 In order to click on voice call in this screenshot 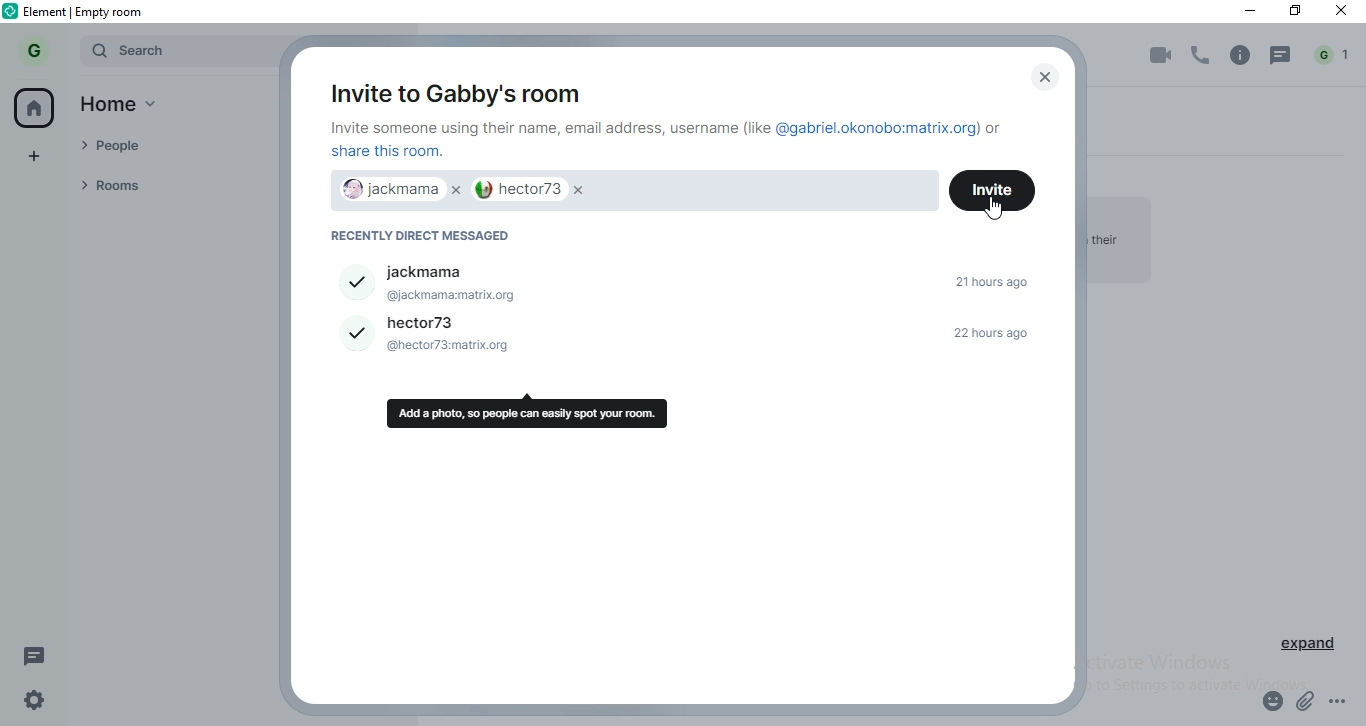, I will do `click(1202, 56)`.